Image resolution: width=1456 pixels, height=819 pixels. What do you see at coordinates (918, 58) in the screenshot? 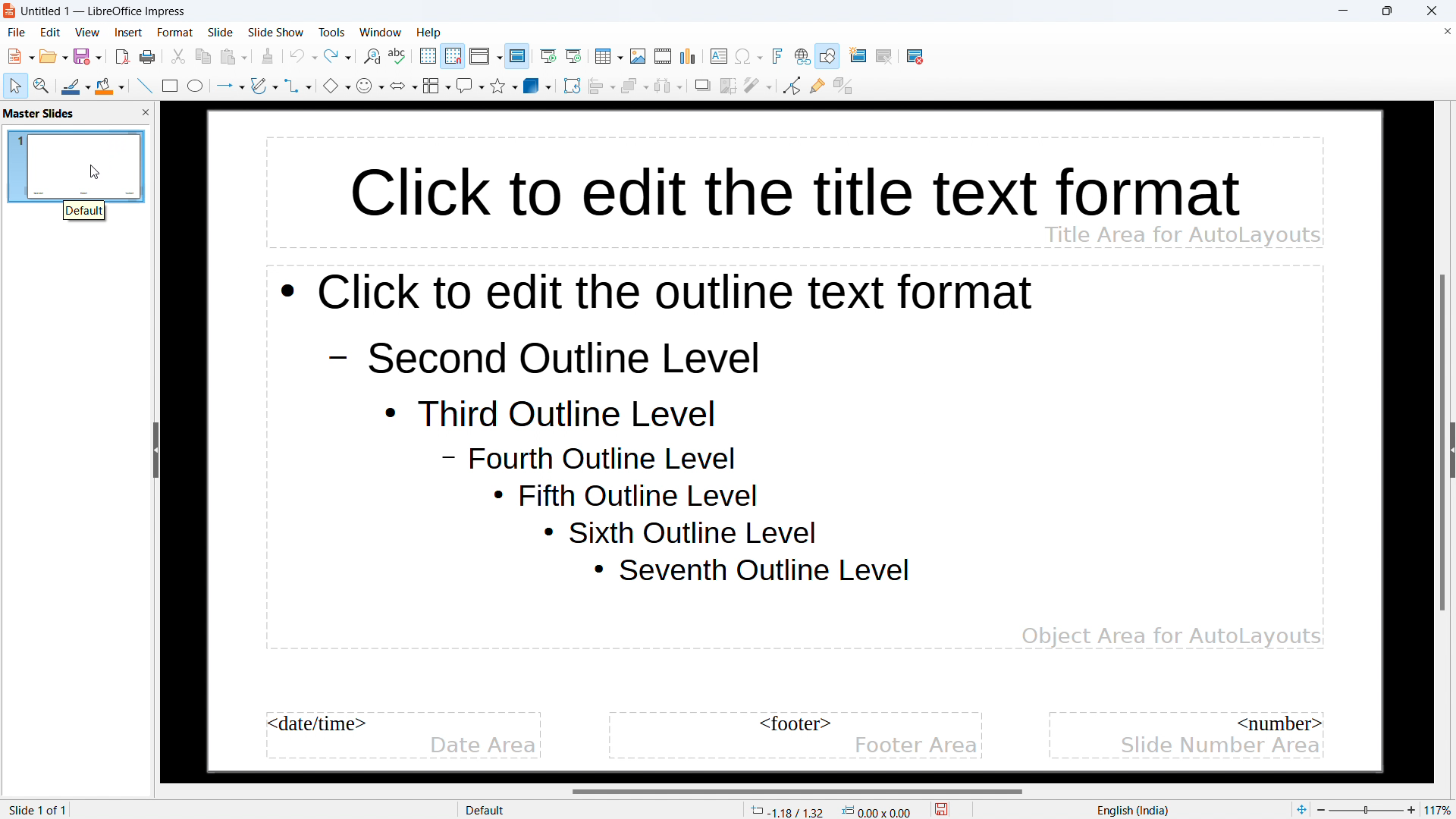
I see `delete slide` at bounding box center [918, 58].